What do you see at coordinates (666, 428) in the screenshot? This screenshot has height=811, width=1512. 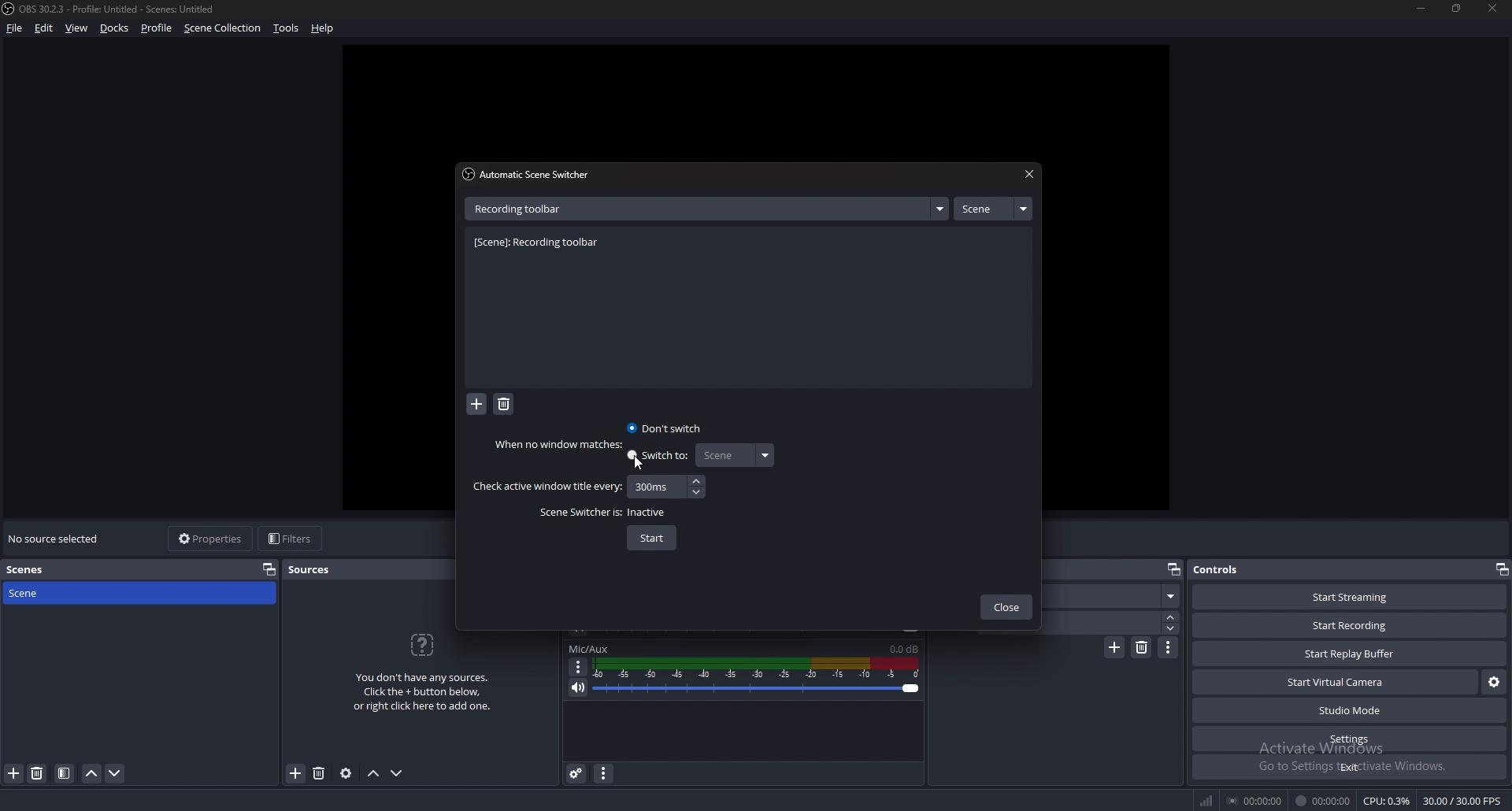 I see `dont switch` at bounding box center [666, 428].